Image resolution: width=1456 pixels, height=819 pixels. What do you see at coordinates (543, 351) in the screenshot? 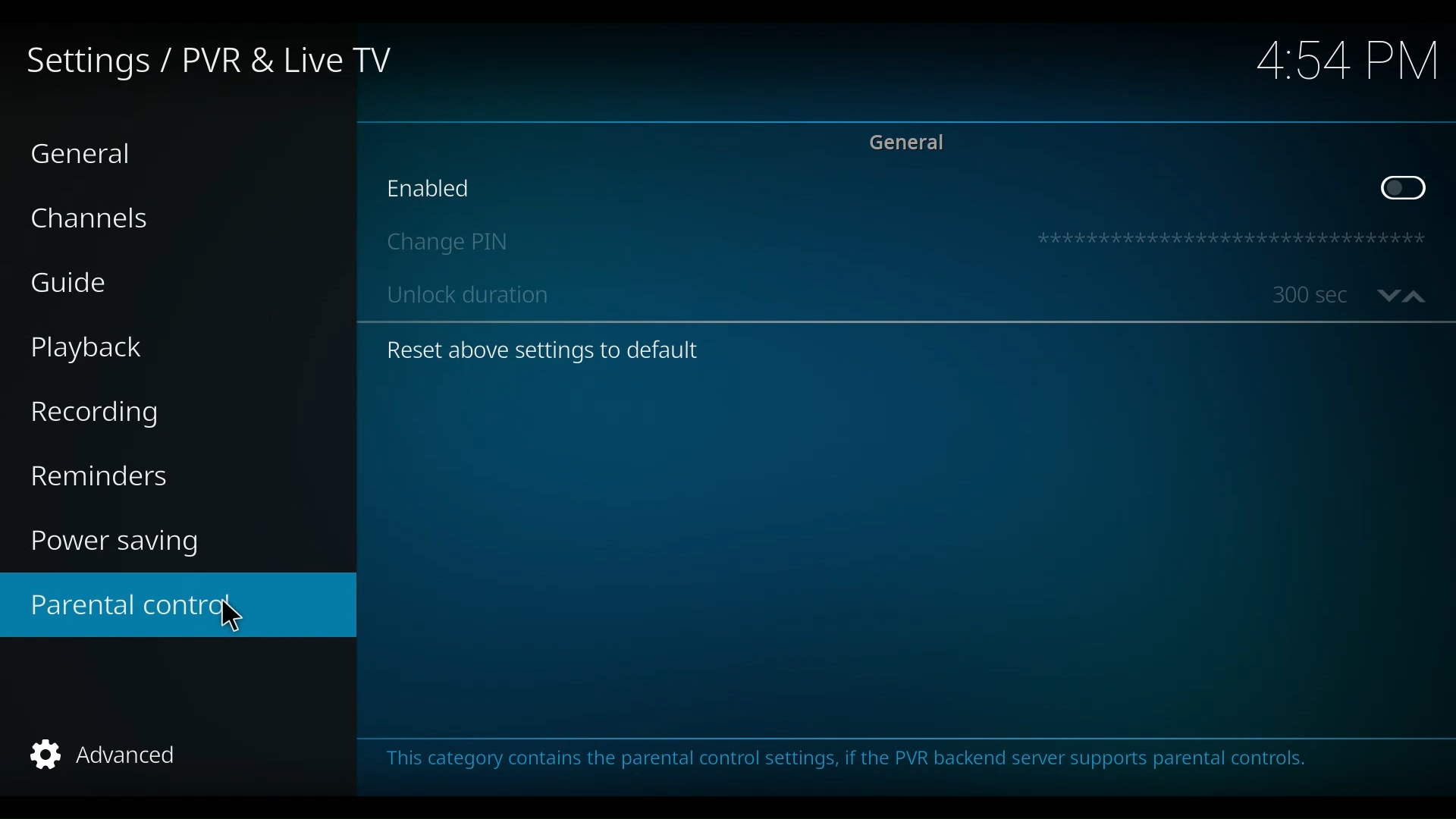
I see `Reset above settings to default` at bounding box center [543, 351].